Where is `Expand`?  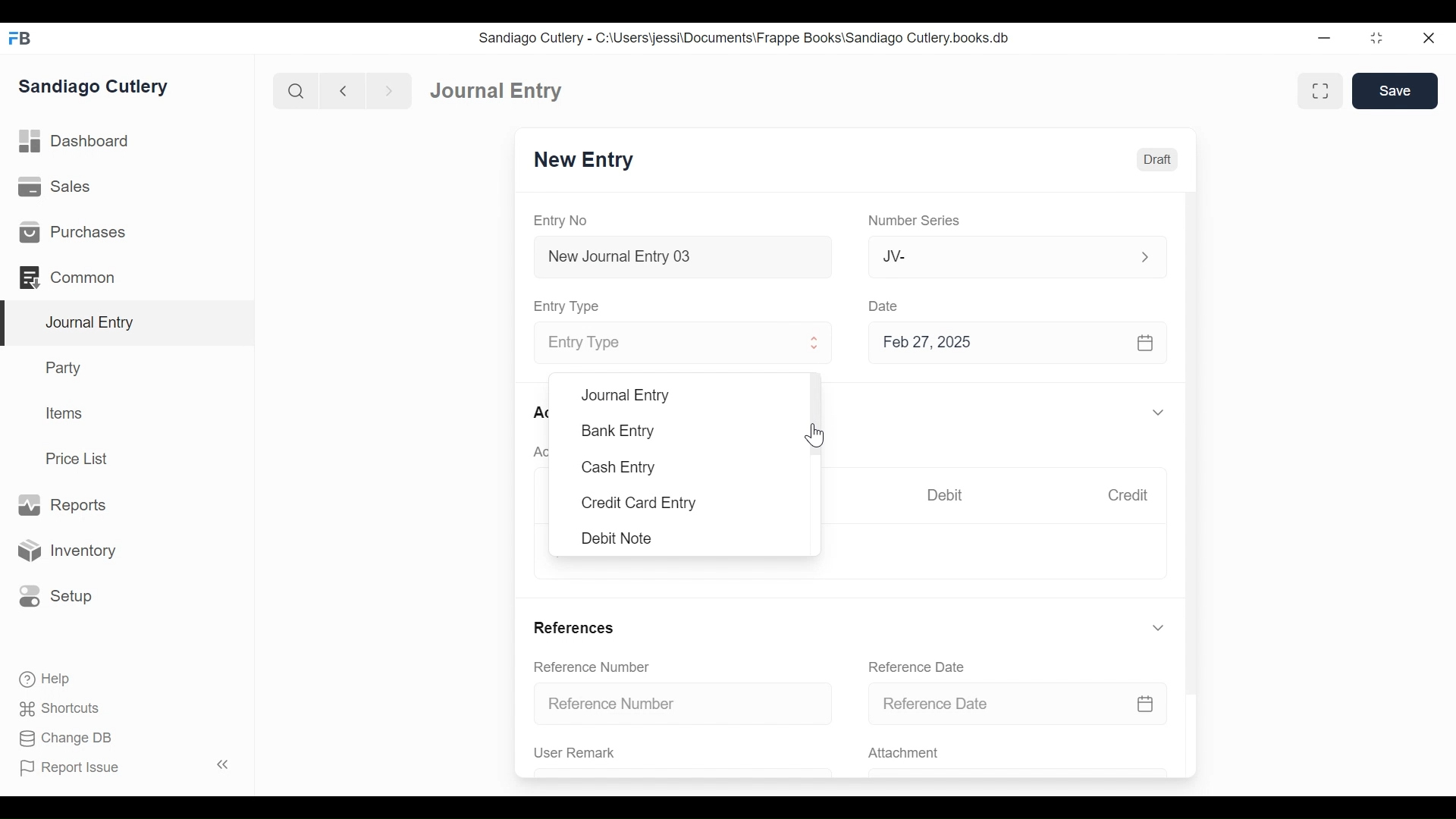 Expand is located at coordinates (1160, 628).